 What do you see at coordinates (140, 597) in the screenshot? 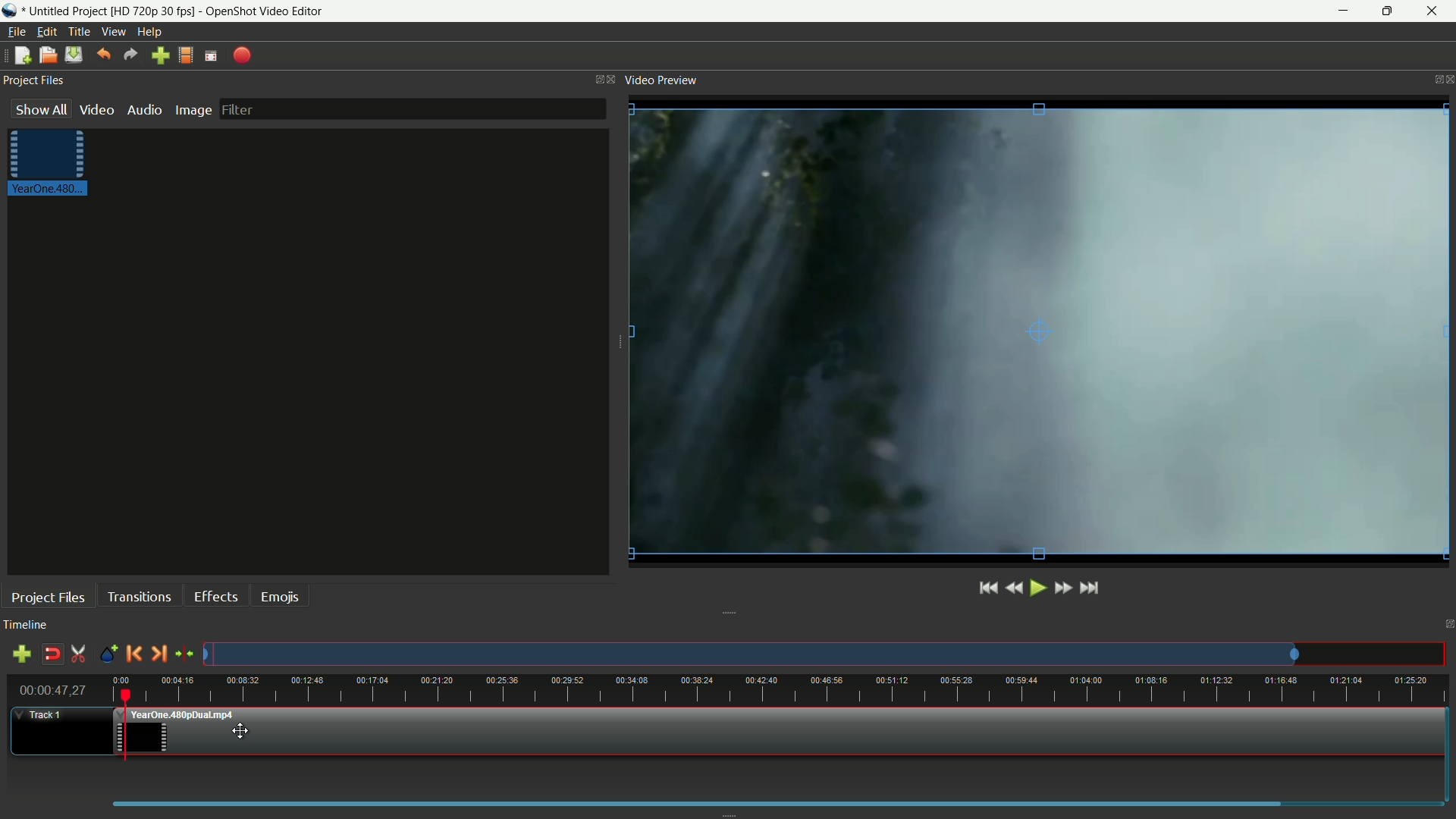
I see `transitions` at bounding box center [140, 597].